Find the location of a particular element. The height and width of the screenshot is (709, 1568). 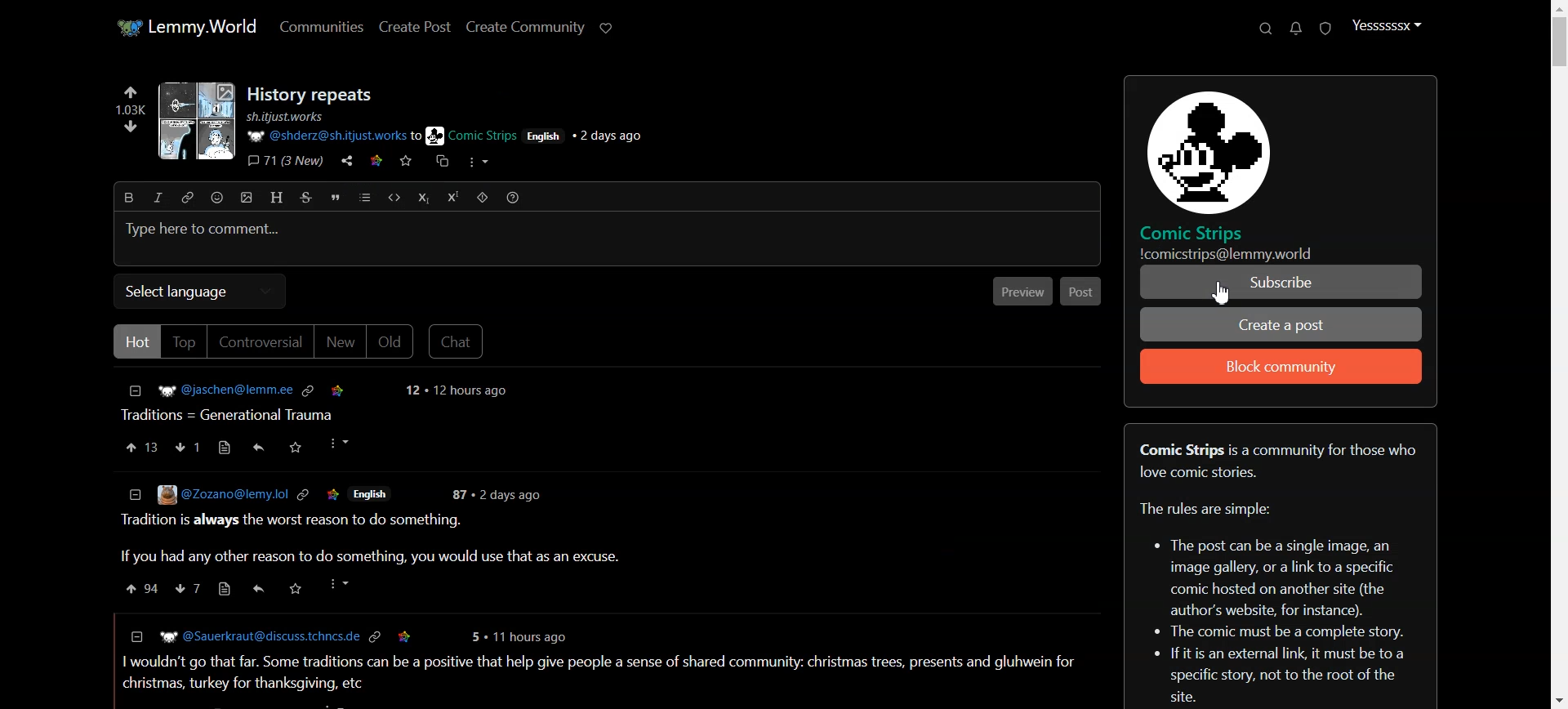

Post is located at coordinates (1081, 290).